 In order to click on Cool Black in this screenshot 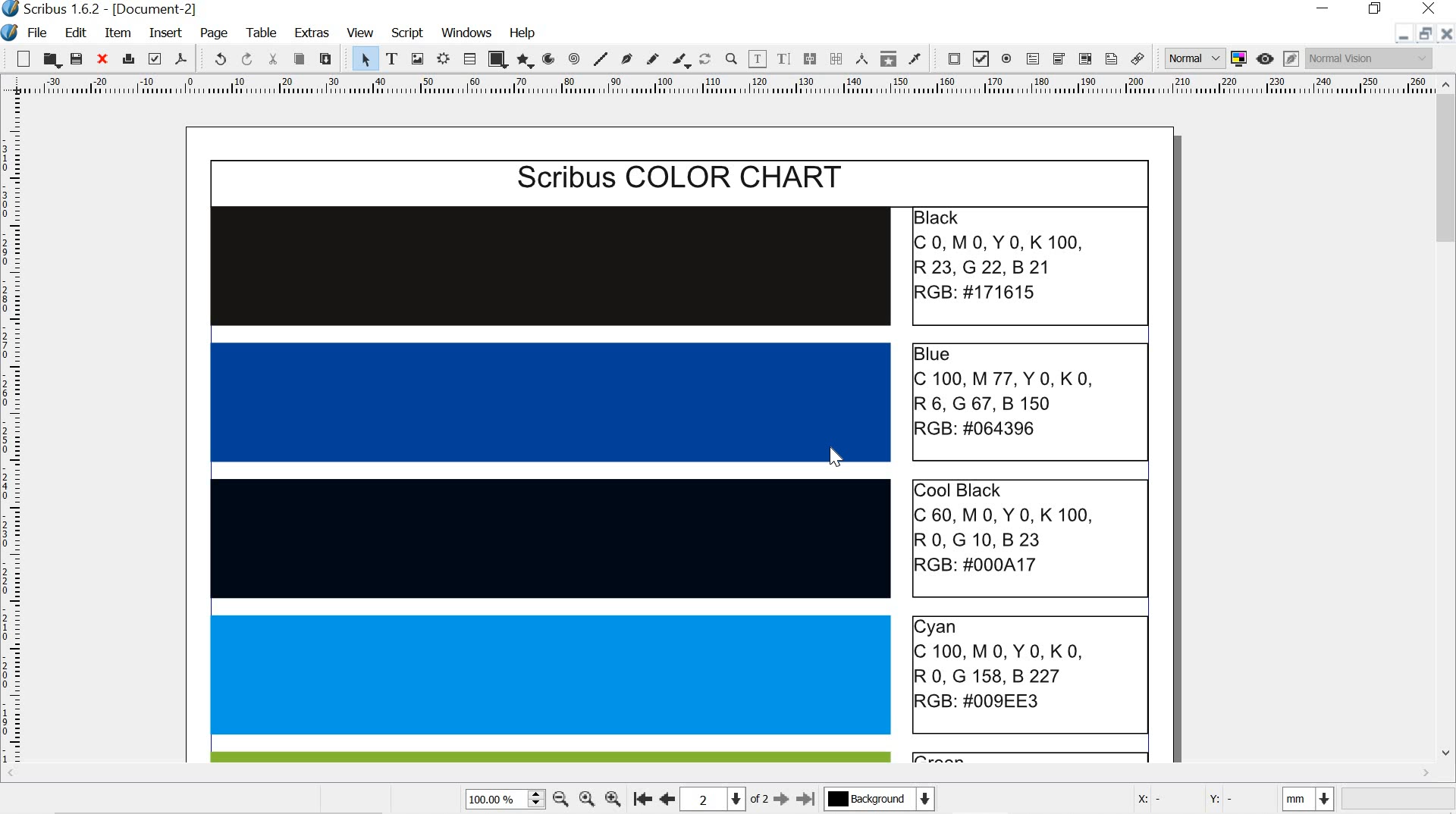, I will do `click(549, 537)`.